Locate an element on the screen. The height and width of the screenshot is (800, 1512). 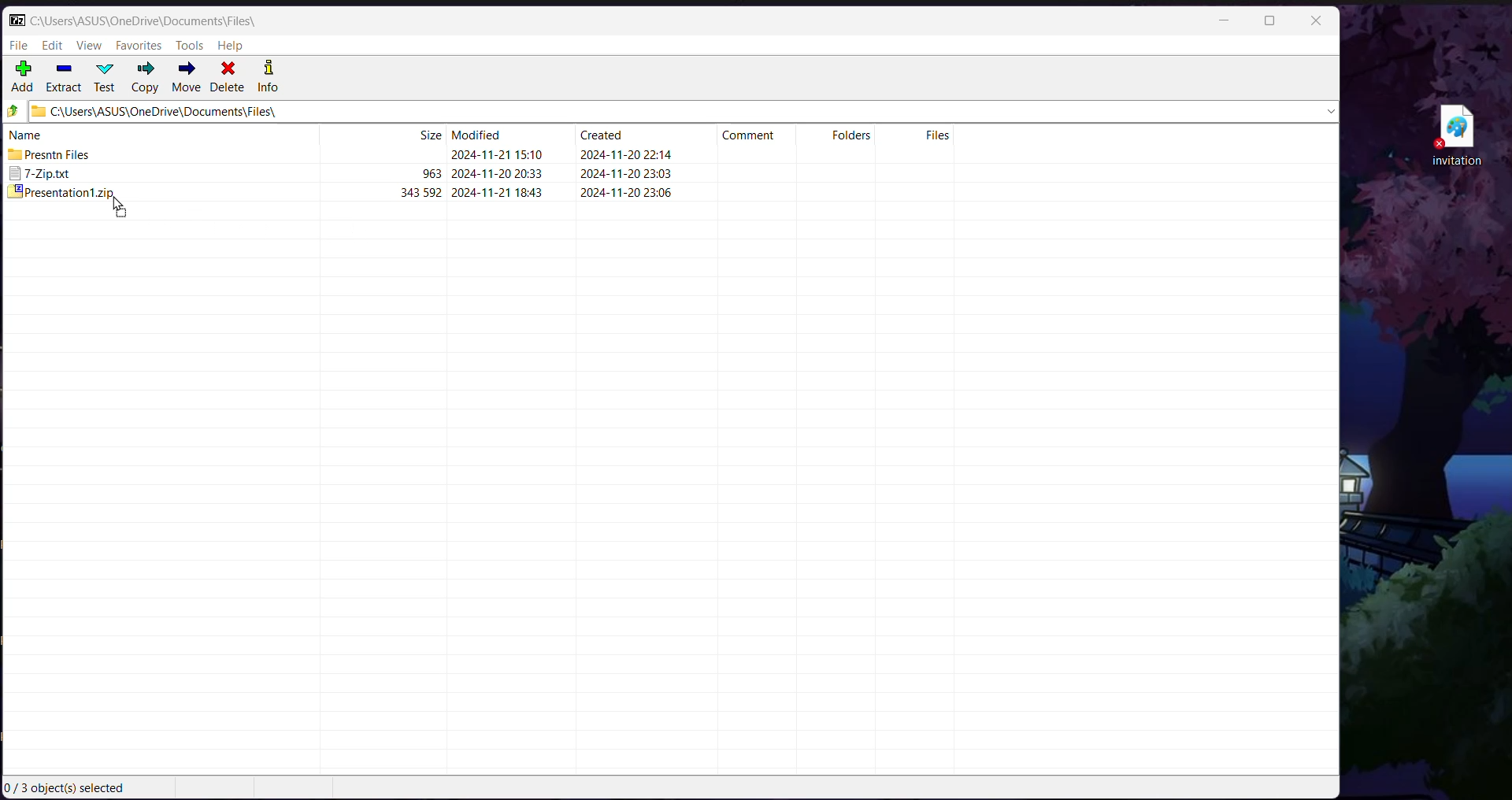
presentationt.zip 343592 2024-11-211843 2024-11-20 23:06 is located at coordinates (341, 194).